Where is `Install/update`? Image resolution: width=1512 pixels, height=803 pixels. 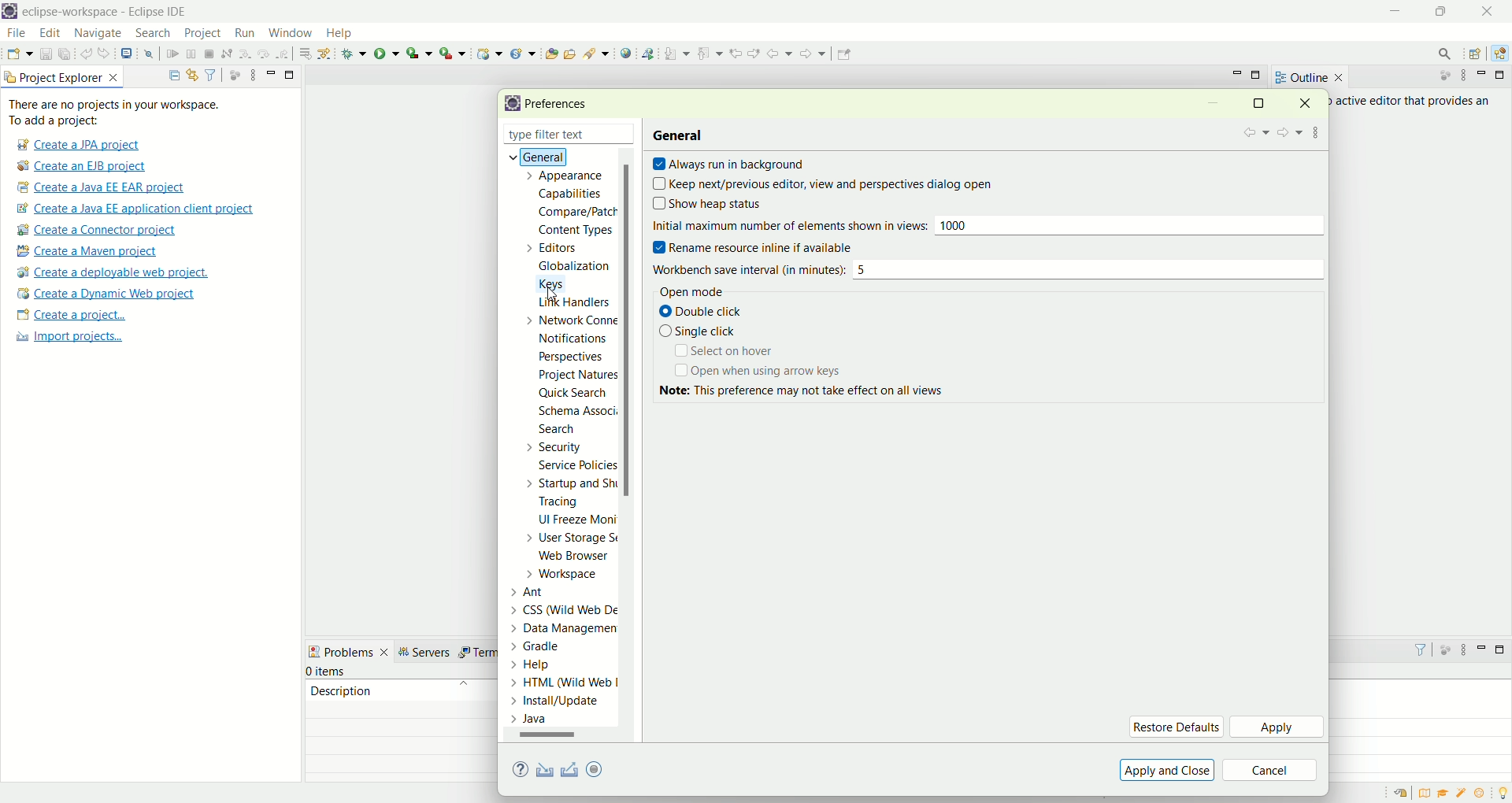 Install/update is located at coordinates (558, 703).